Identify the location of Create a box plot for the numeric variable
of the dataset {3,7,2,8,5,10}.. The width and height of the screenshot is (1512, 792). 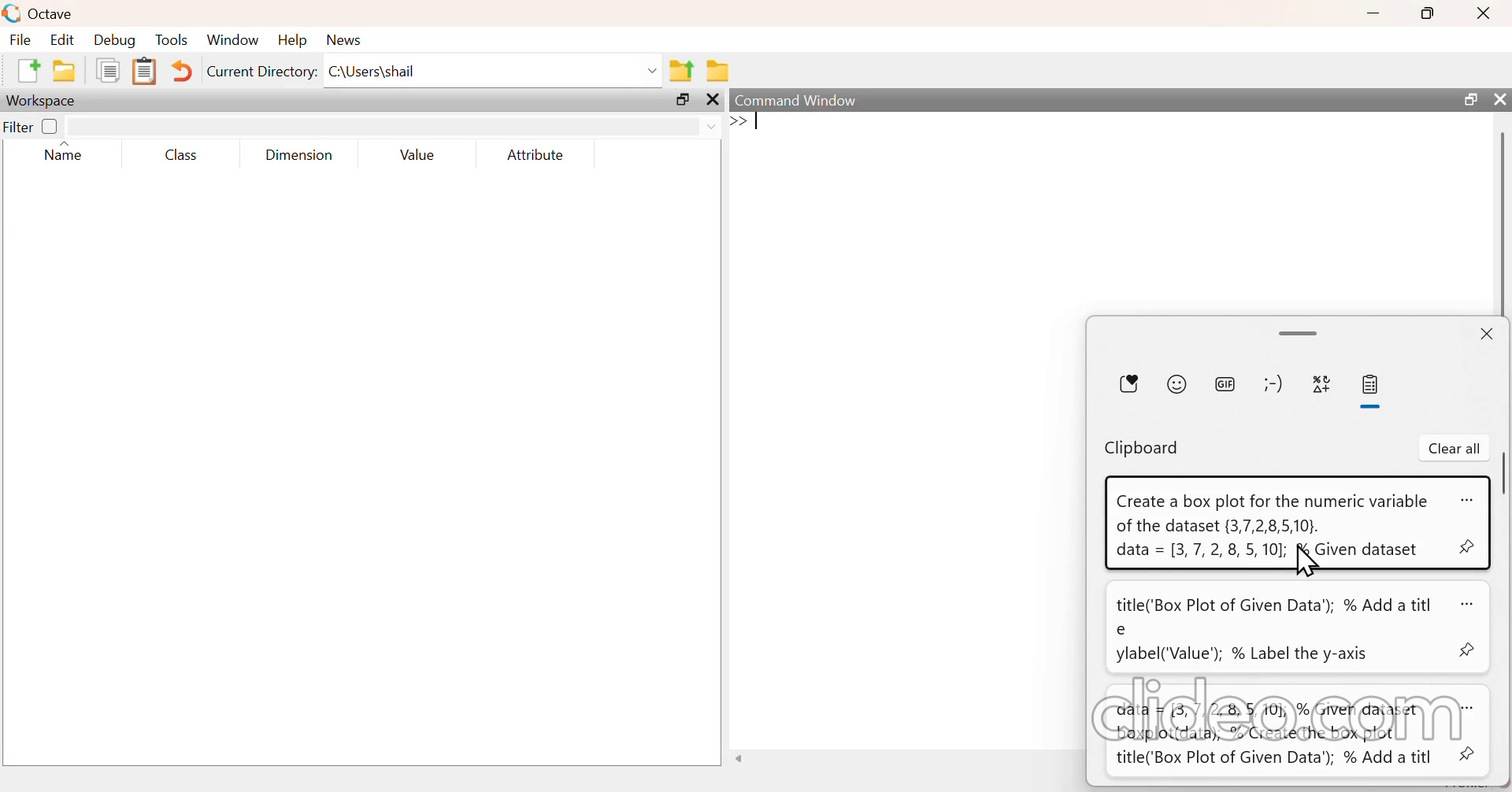
(1273, 516).